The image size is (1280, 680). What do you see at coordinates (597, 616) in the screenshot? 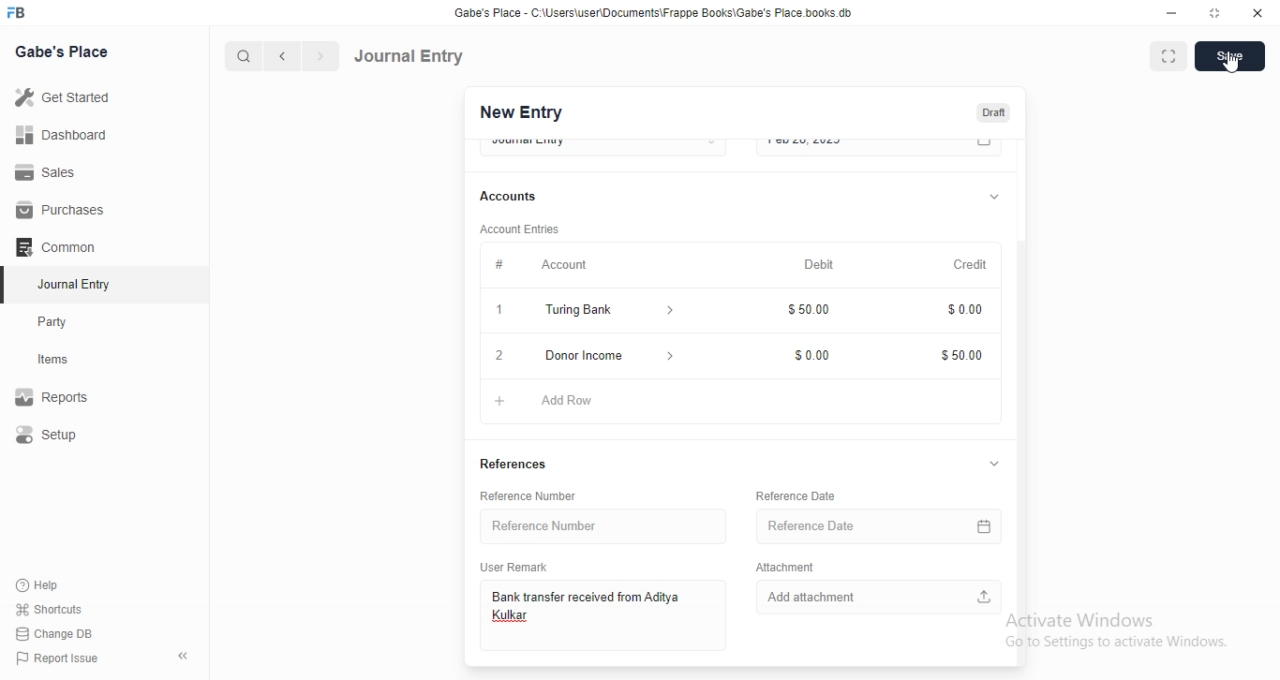
I see `Bank transfer received from Aditya Kulkar` at bounding box center [597, 616].